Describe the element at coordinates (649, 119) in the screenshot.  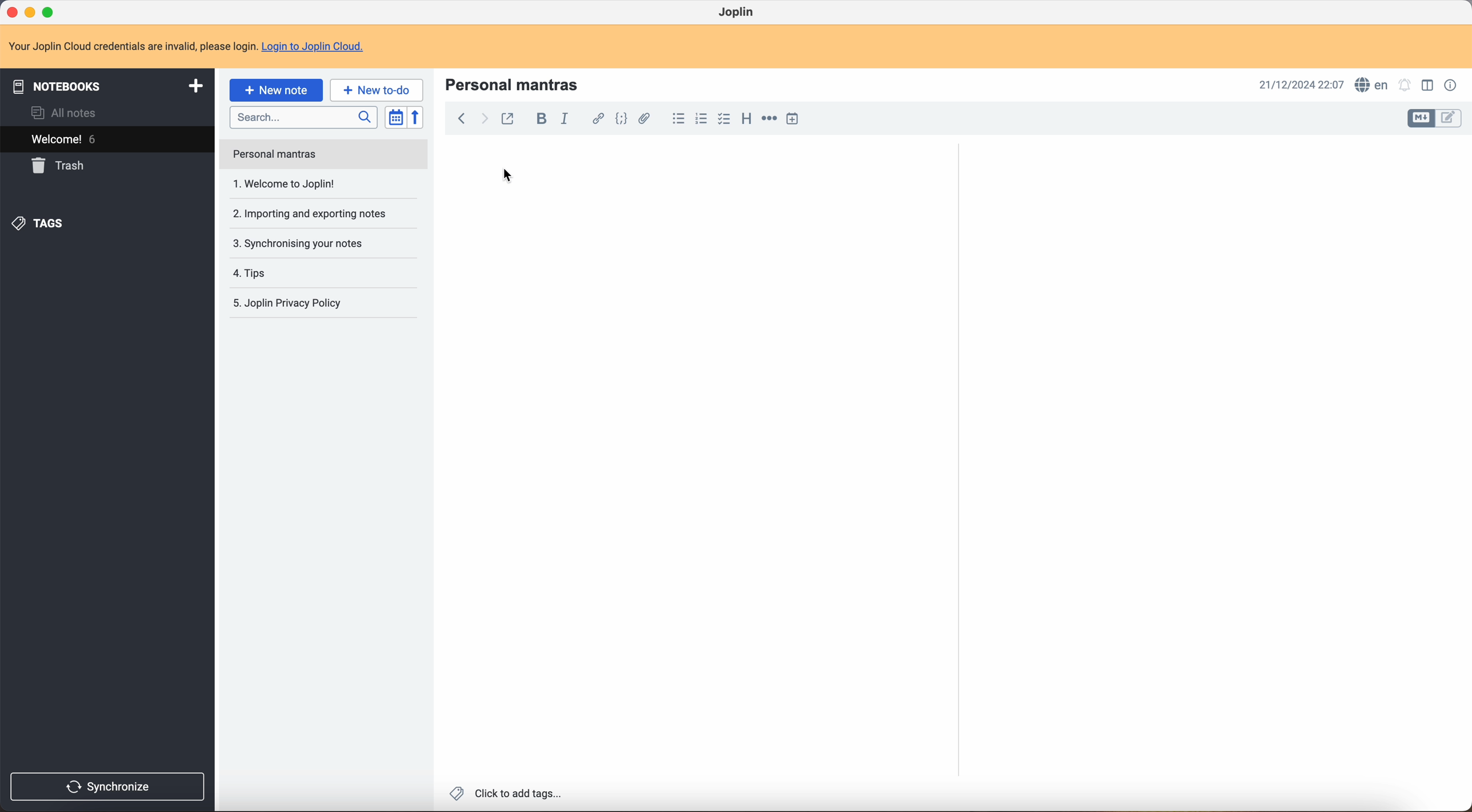
I see `attach file` at that location.